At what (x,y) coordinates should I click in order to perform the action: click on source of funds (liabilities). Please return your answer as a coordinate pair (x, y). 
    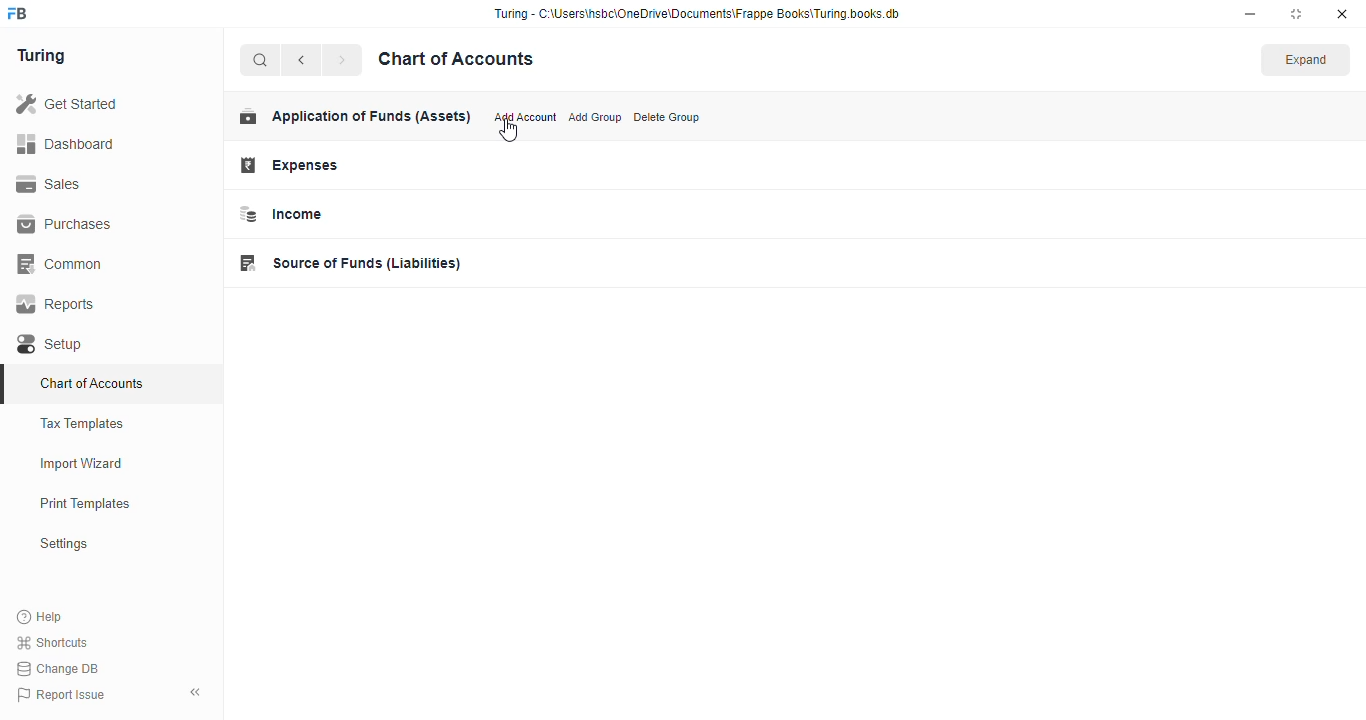
    Looking at the image, I should click on (351, 263).